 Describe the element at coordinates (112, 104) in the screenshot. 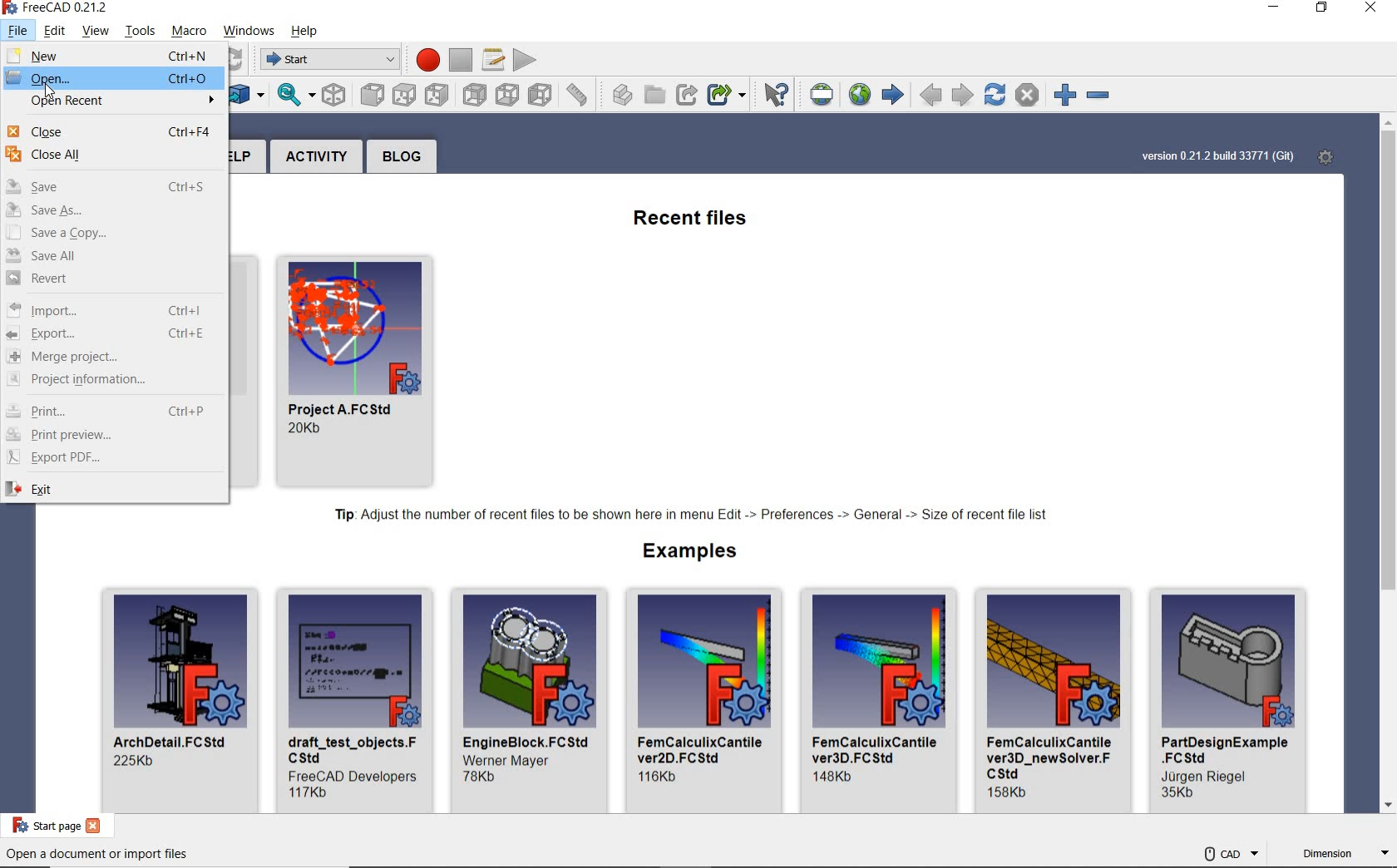

I see `OPEN RECENT` at that location.